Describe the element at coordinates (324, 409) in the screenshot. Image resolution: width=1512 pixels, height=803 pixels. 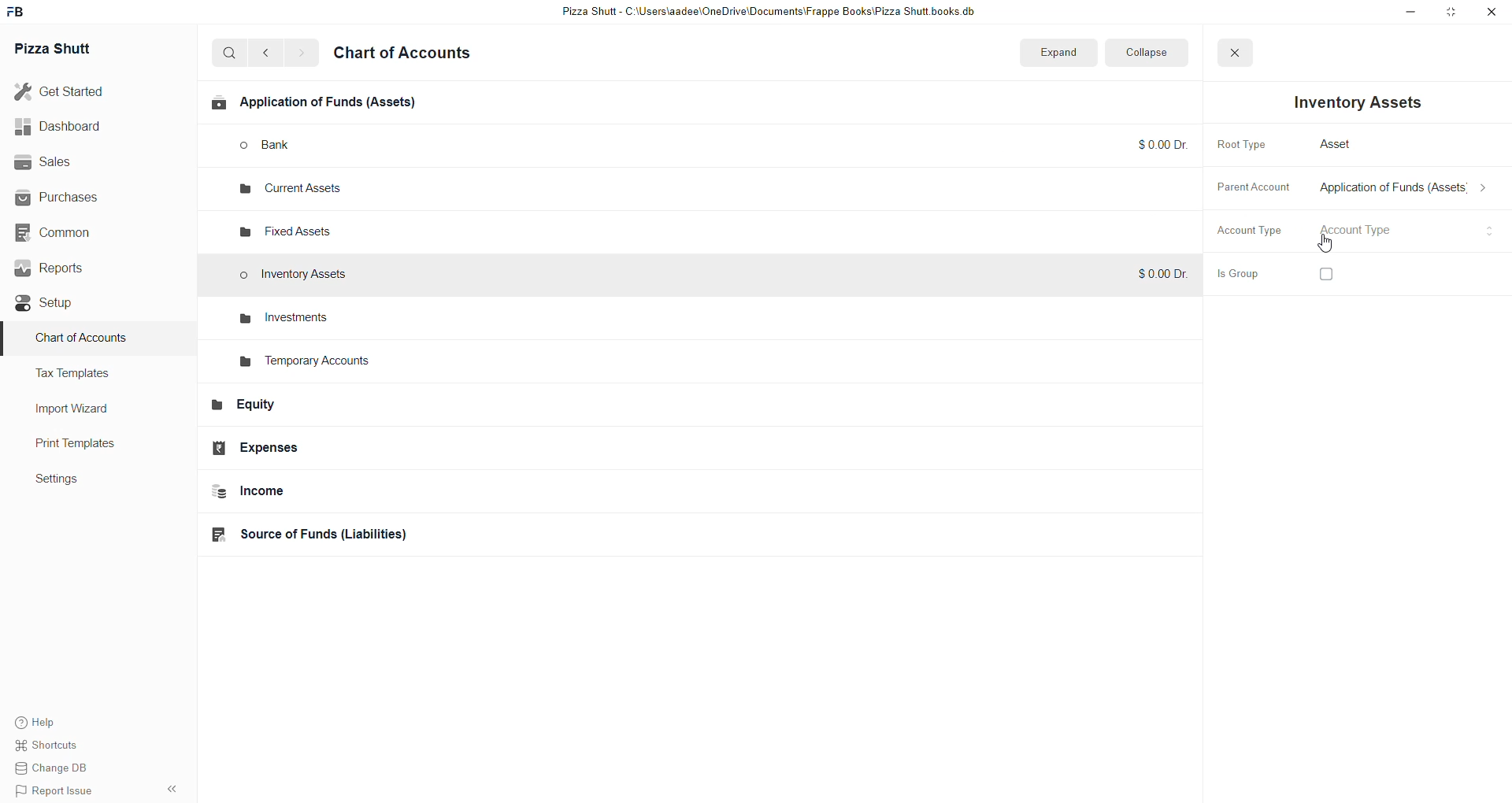
I see `Equity ` at that location.